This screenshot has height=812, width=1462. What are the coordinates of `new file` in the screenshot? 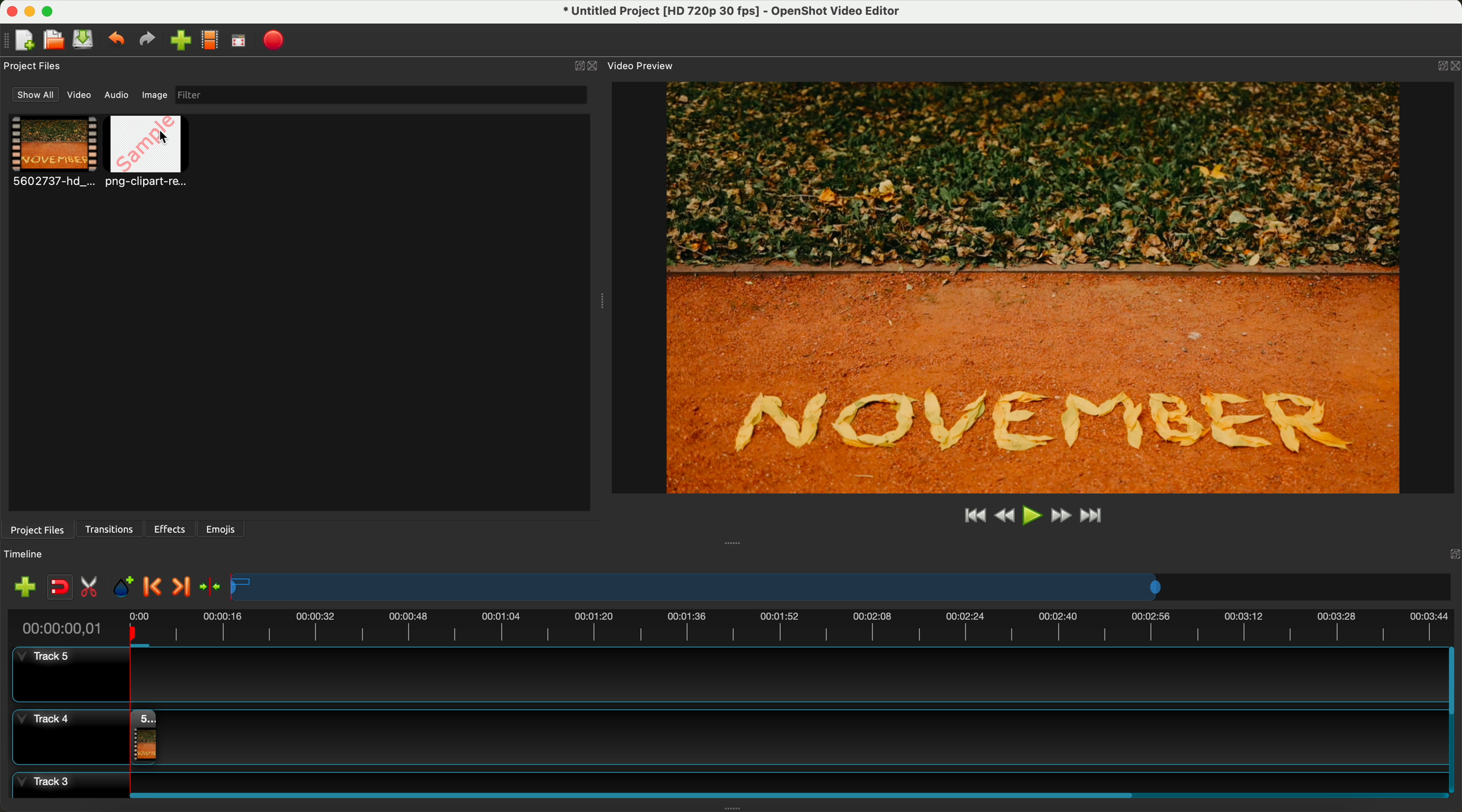 It's located at (21, 40).